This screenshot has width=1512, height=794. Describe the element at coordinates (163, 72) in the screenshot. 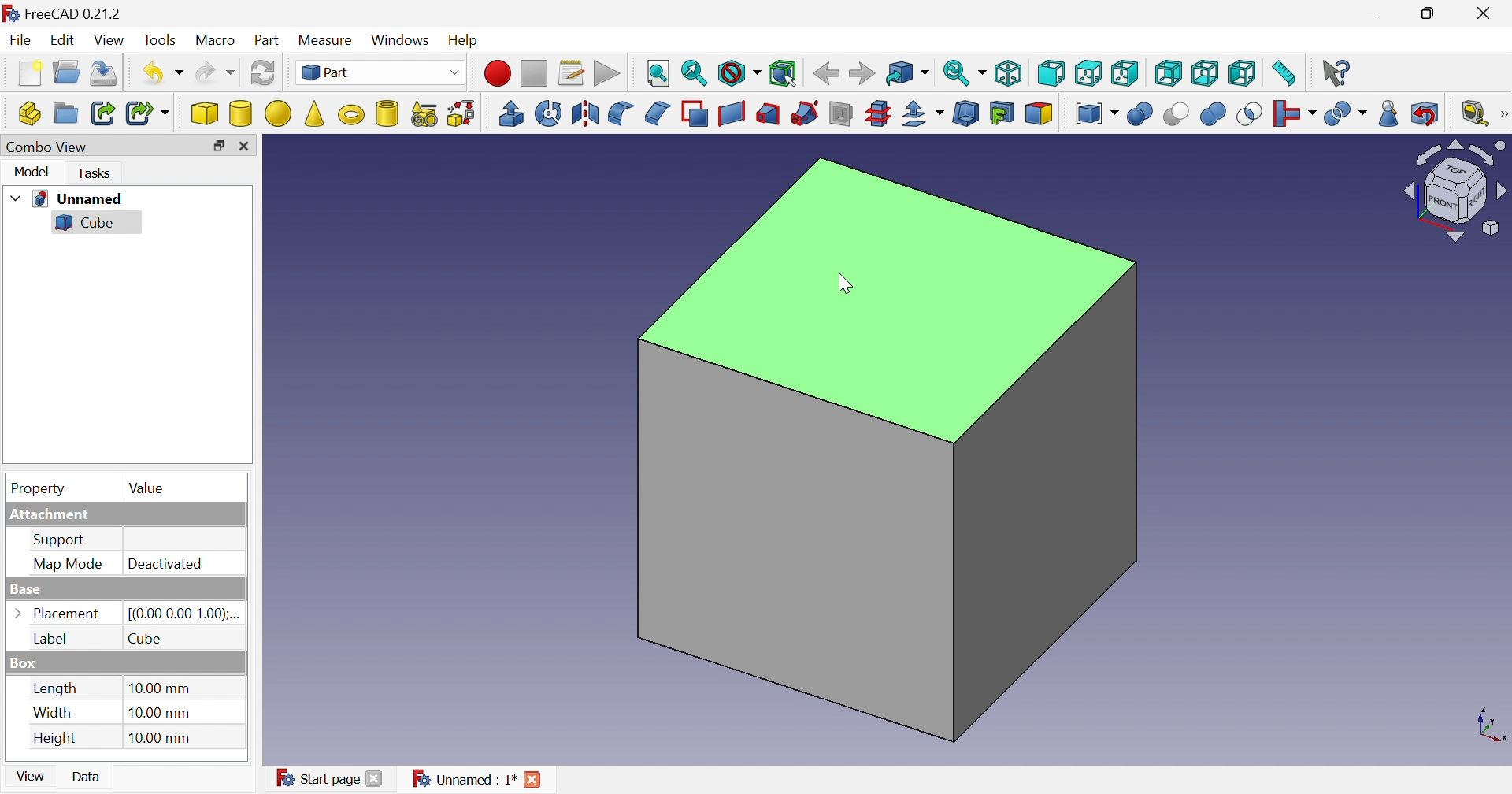

I see `Undo` at that location.